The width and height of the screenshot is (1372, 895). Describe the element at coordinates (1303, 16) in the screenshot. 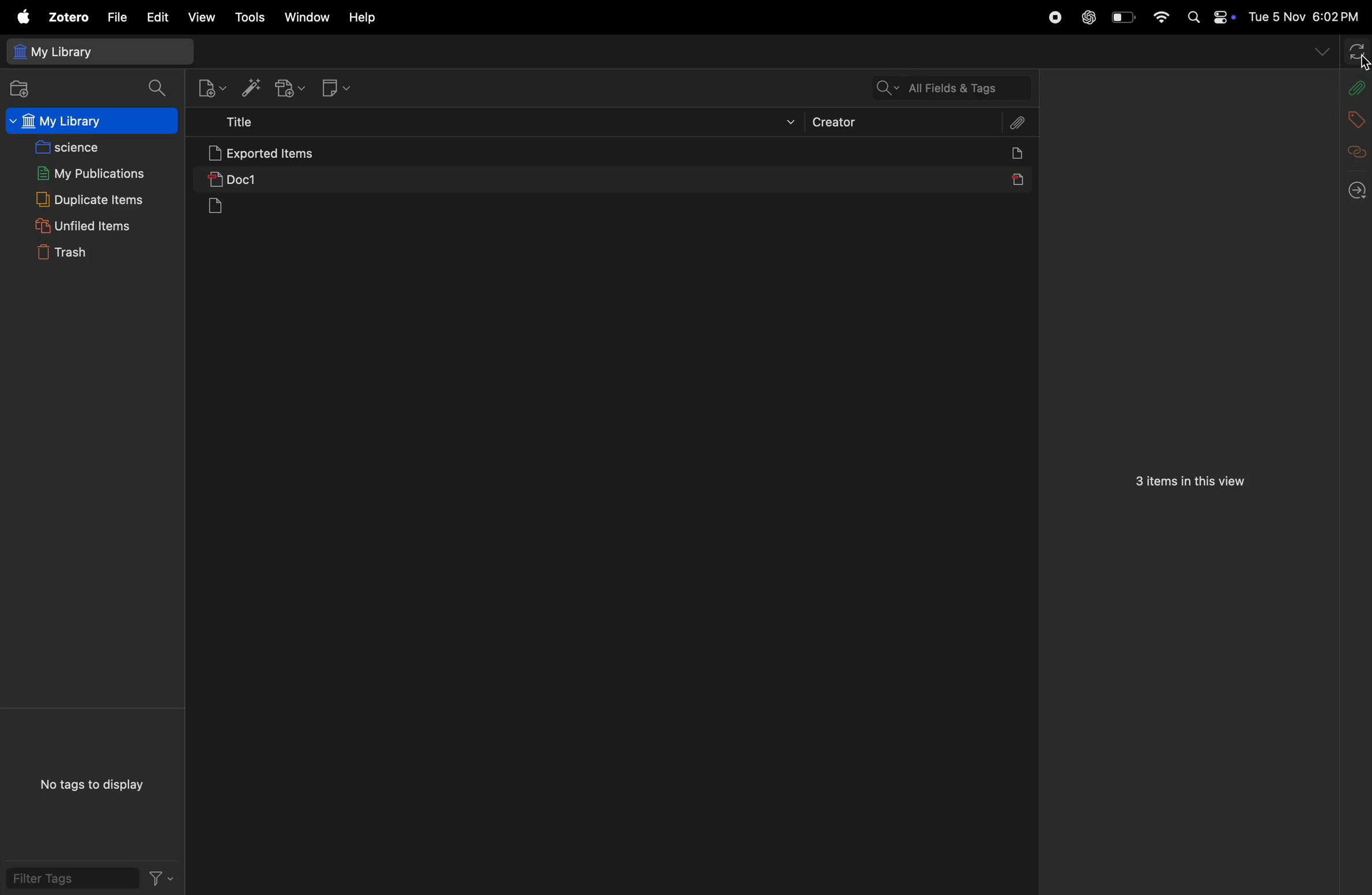

I see `time and date` at that location.